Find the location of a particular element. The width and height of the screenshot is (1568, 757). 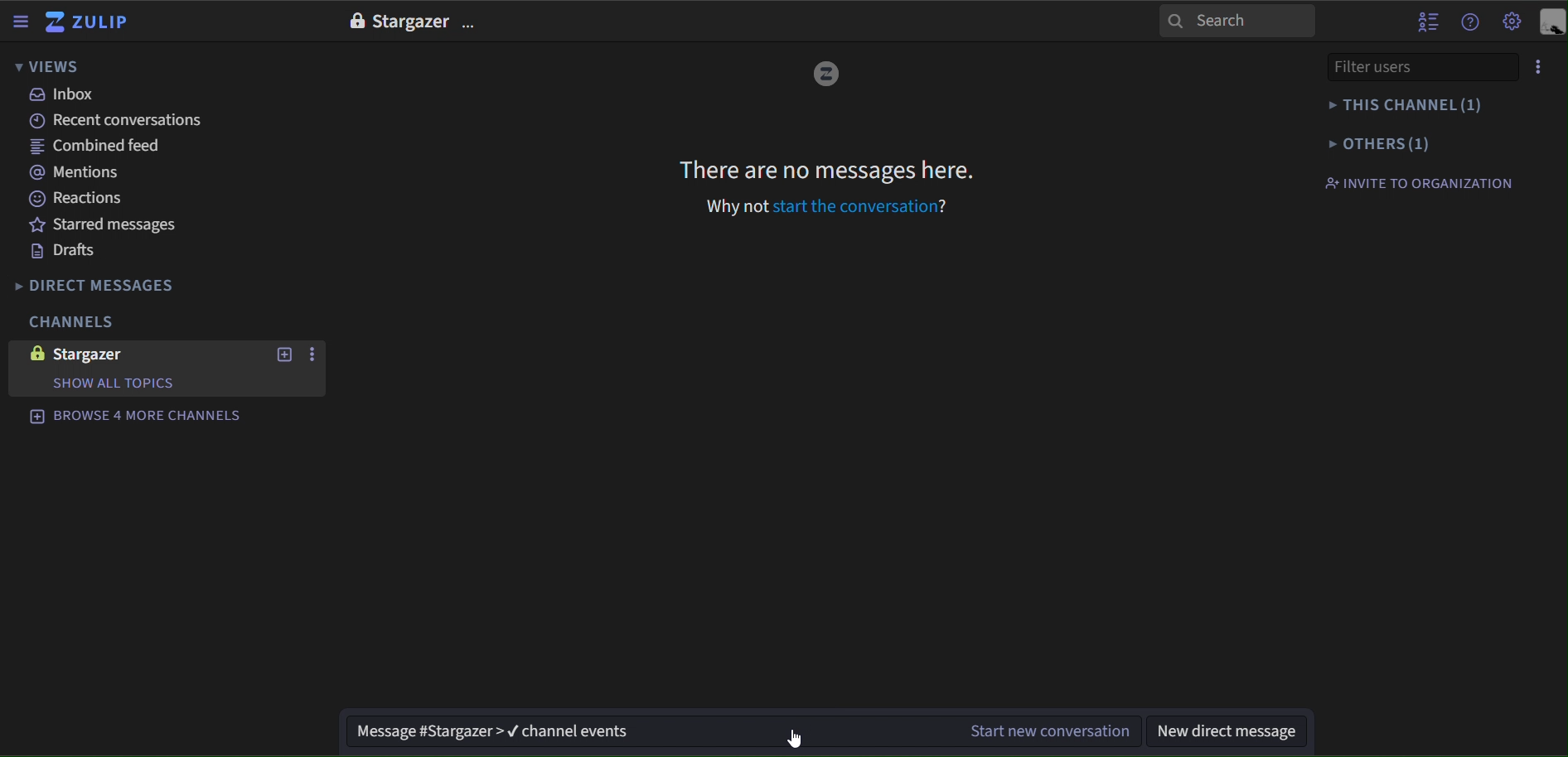

Stargazer is located at coordinates (410, 22).